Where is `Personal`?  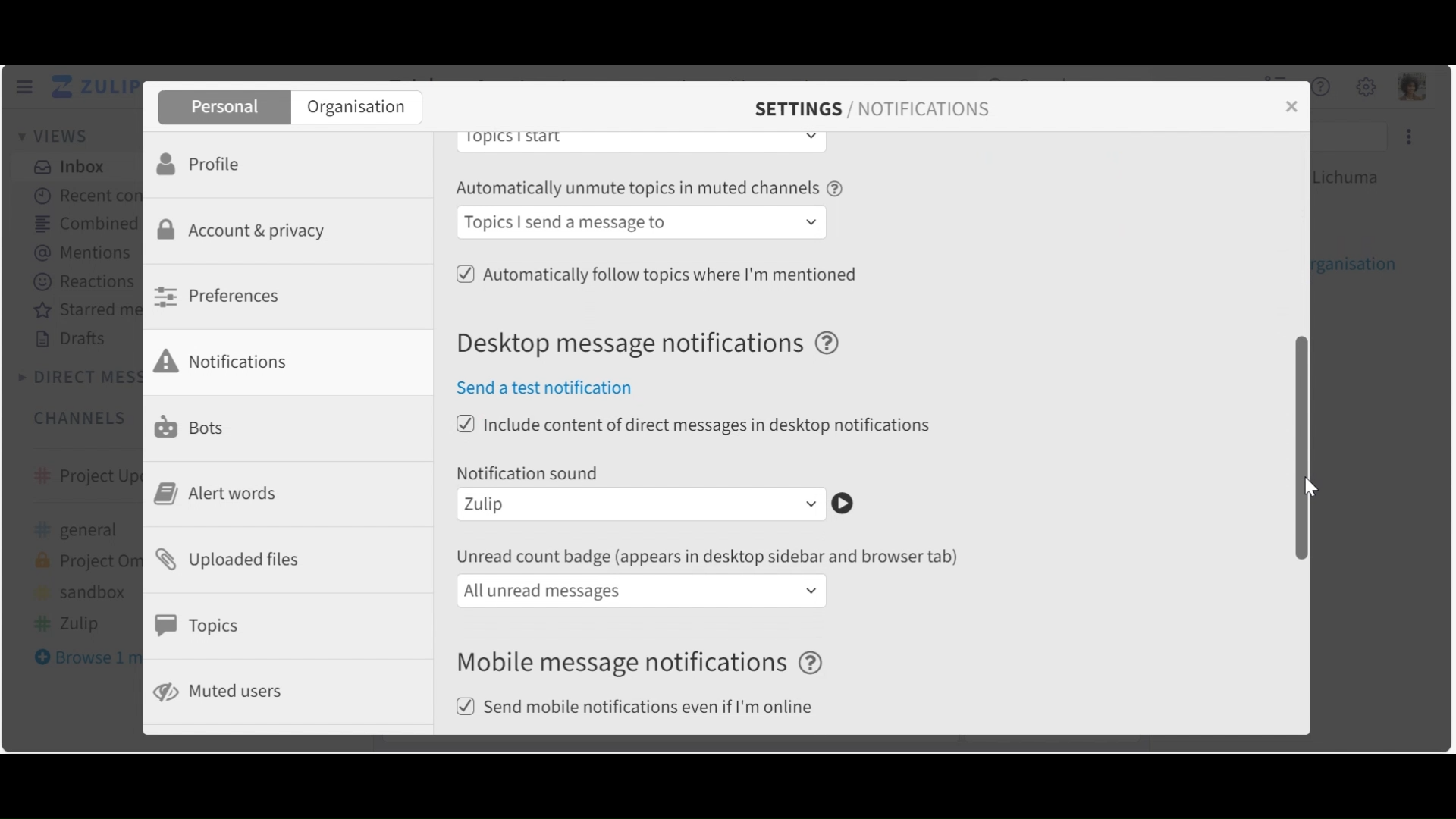 Personal is located at coordinates (222, 108).